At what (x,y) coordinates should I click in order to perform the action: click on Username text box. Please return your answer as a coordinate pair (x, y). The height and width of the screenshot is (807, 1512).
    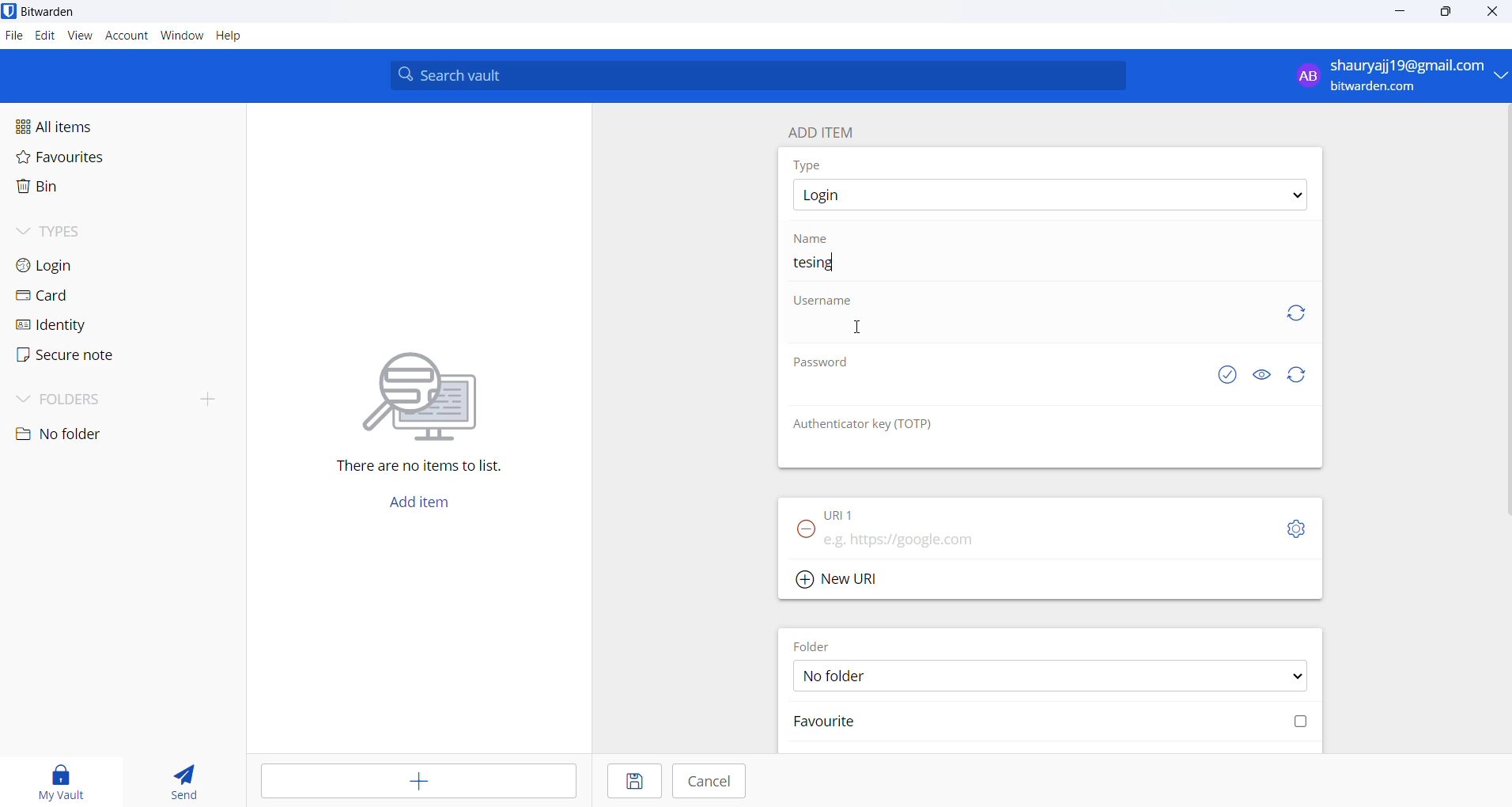
    Looking at the image, I should click on (1021, 332).